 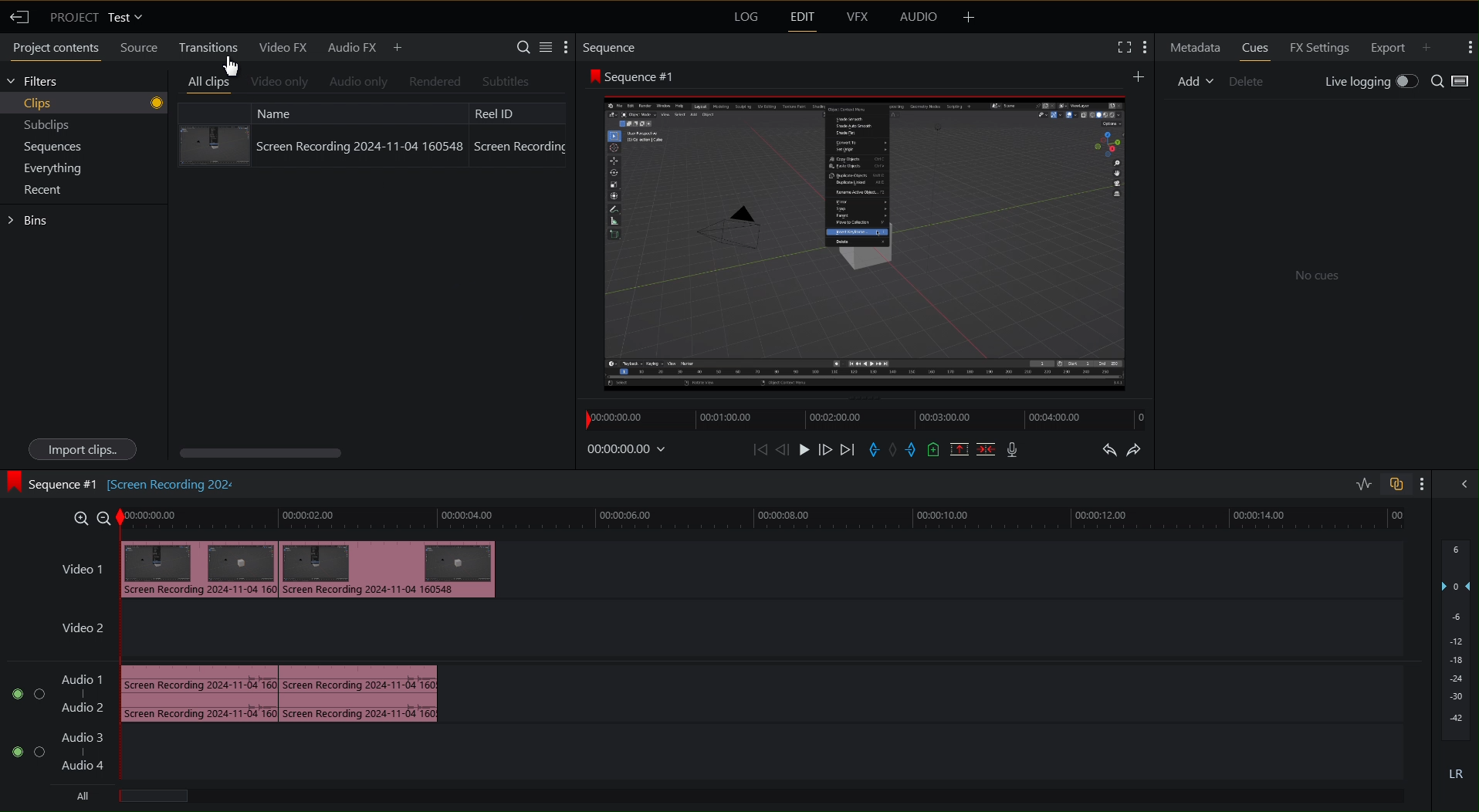 What do you see at coordinates (1139, 448) in the screenshot?
I see `Redo` at bounding box center [1139, 448].